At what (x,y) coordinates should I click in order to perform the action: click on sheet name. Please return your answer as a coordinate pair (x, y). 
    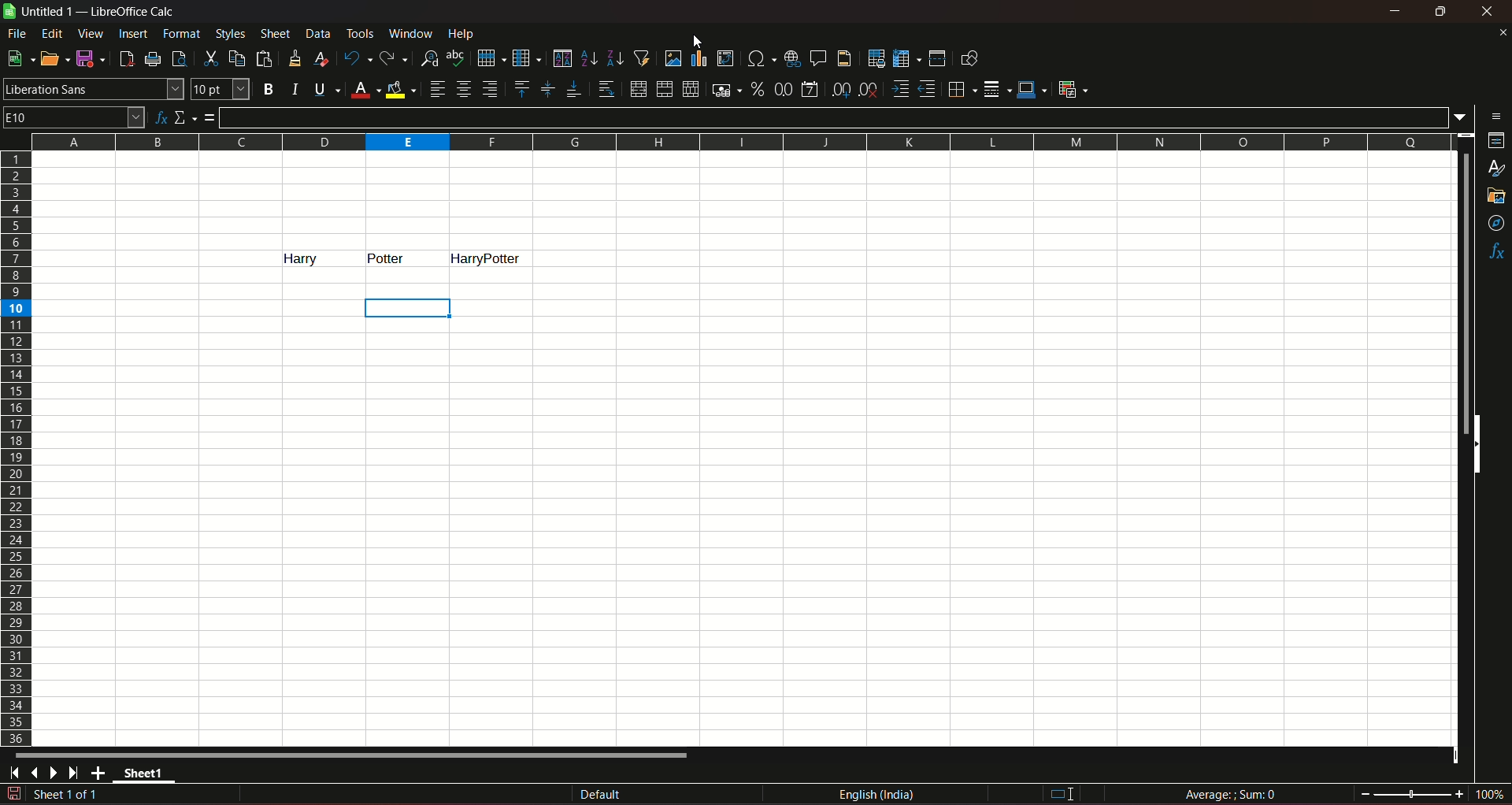
    Looking at the image, I should click on (44, 13).